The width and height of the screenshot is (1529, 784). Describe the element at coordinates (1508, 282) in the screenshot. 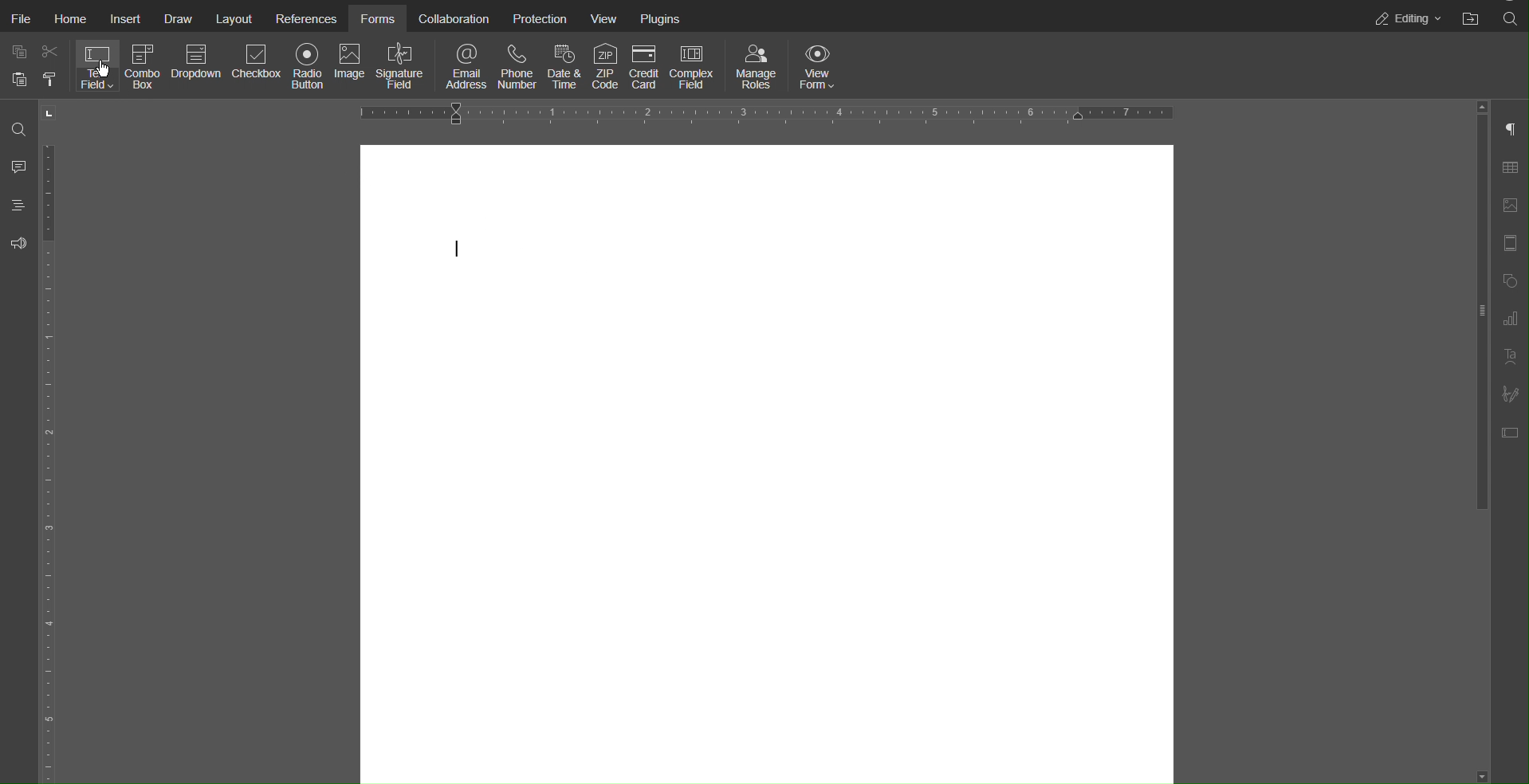

I see `Shape Settings` at that location.